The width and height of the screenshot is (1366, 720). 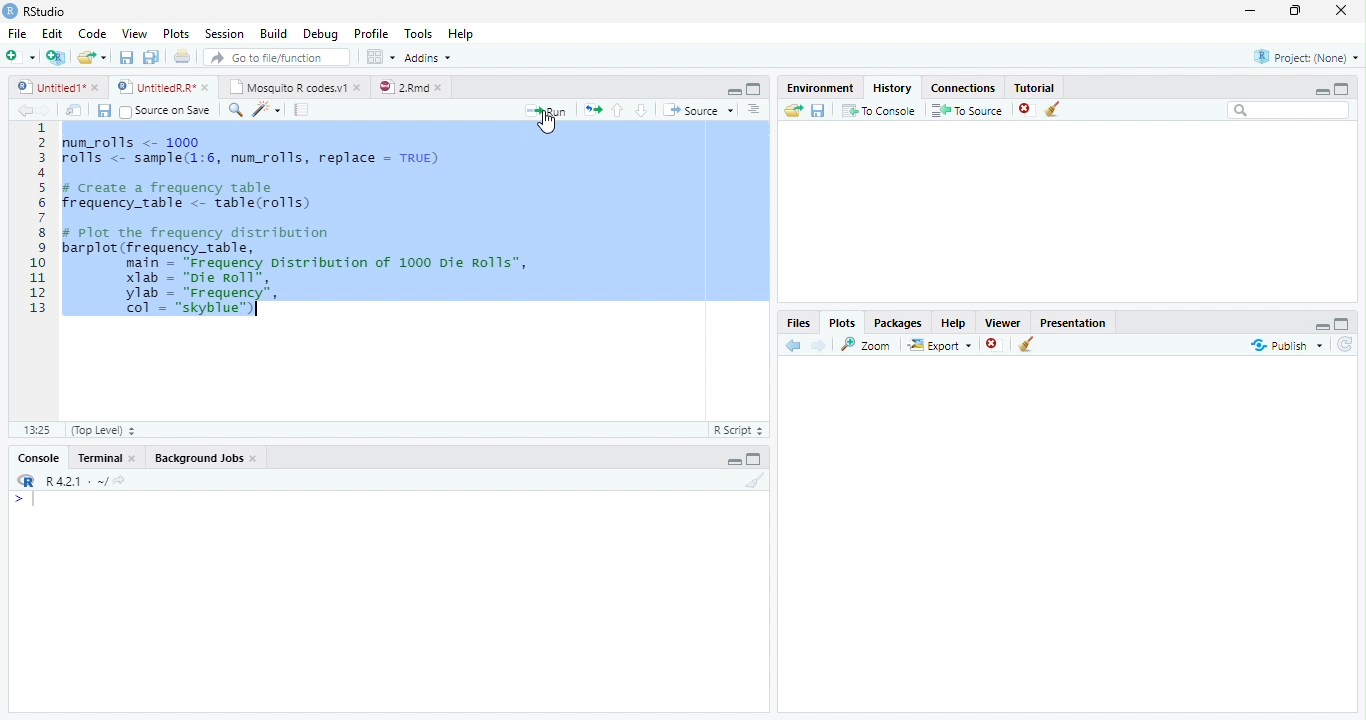 What do you see at coordinates (967, 110) in the screenshot?
I see `To Source` at bounding box center [967, 110].